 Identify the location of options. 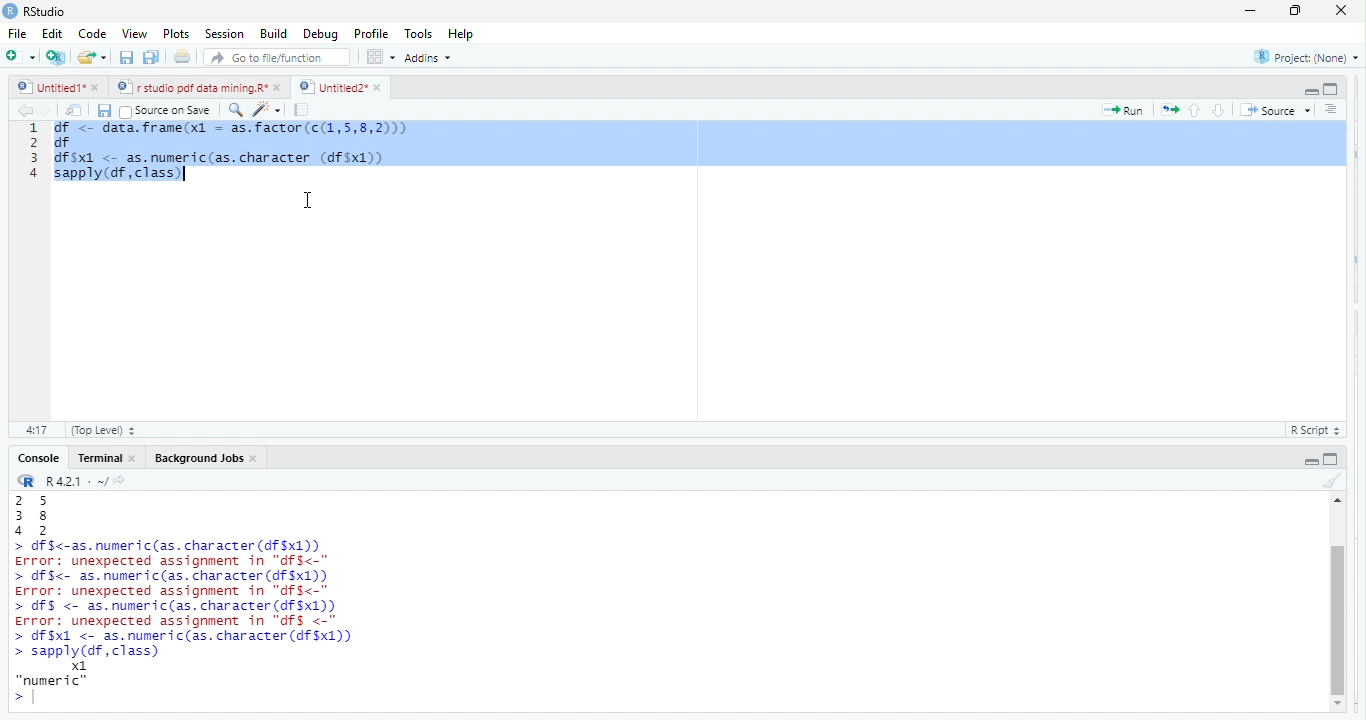
(381, 56).